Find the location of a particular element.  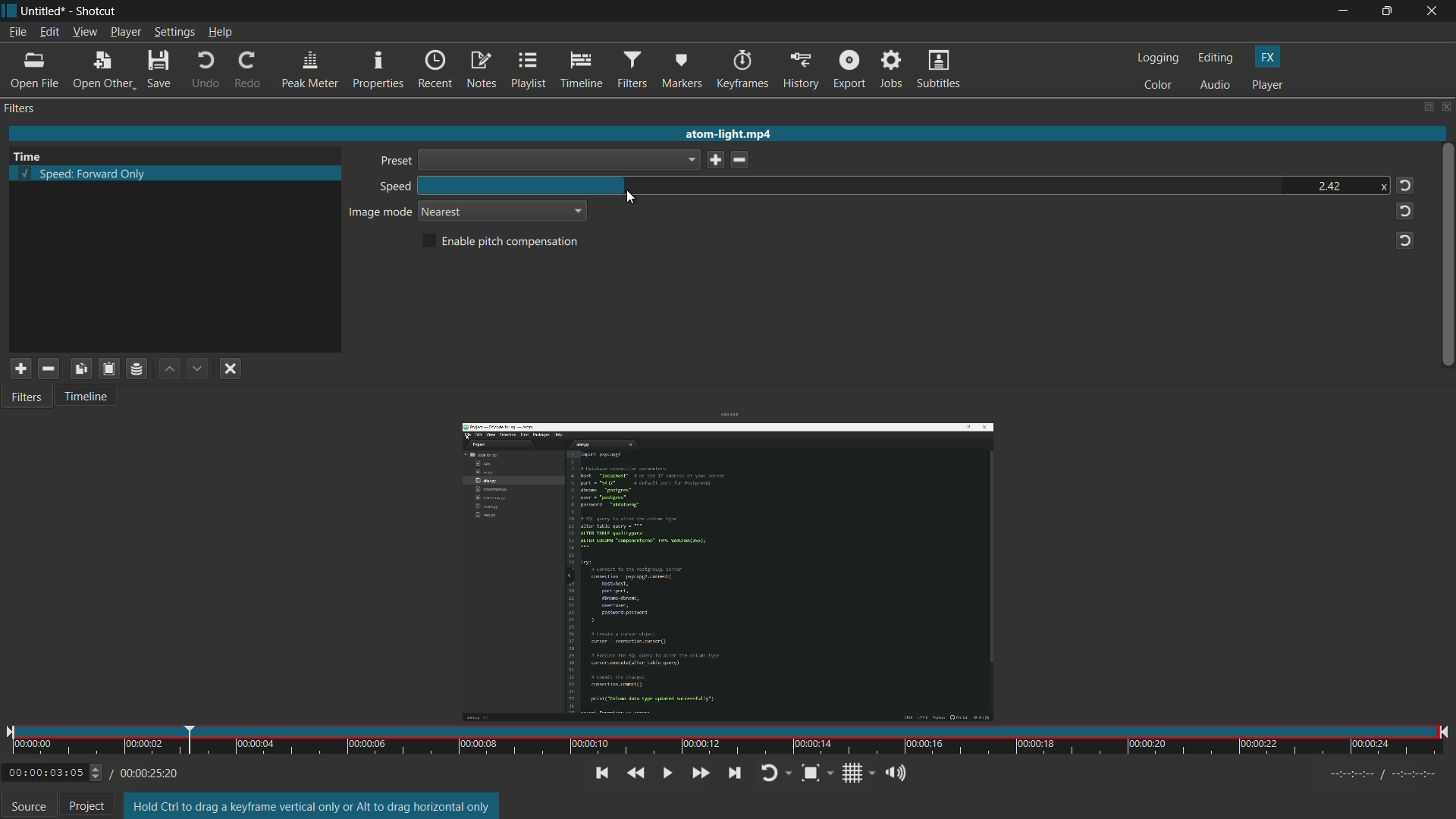

recent is located at coordinates (435, 71).